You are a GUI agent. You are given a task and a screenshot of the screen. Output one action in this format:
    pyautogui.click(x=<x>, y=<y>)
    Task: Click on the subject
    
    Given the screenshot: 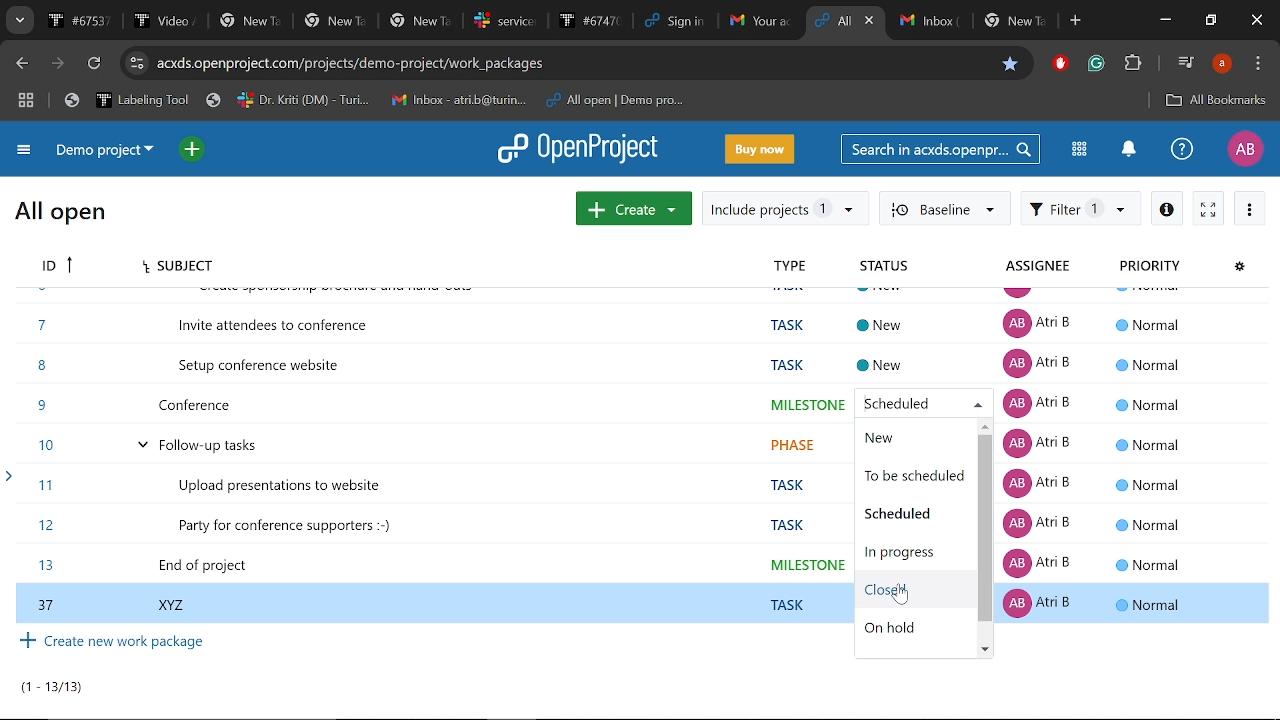 What is the action you would take?
    pyautogui.click(x=183, y=263)
    